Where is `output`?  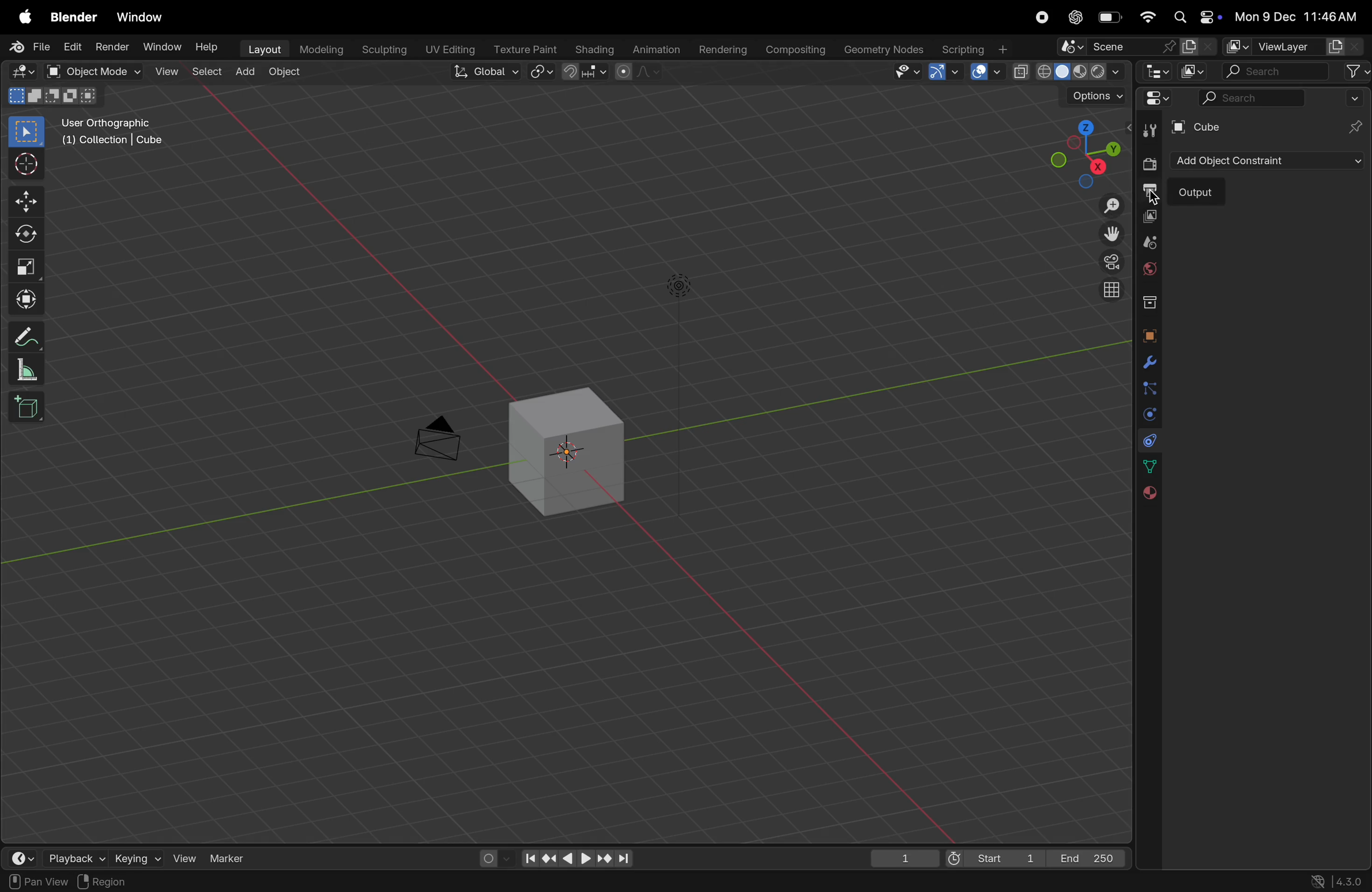
output is located at coordinates (1150, 192).